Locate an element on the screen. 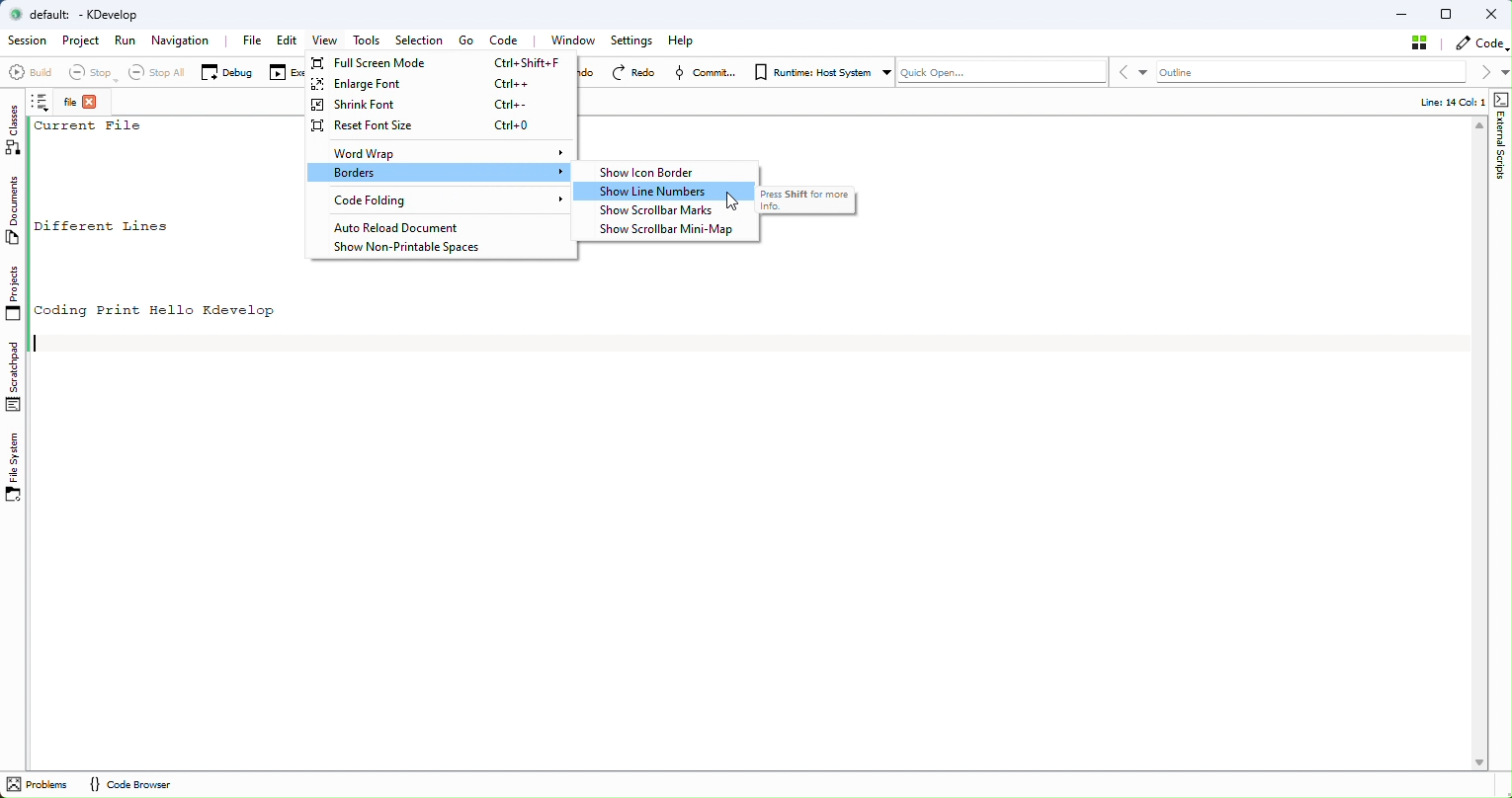 The image size is (1512, 798). Documents is located at coordinates (18, 213).